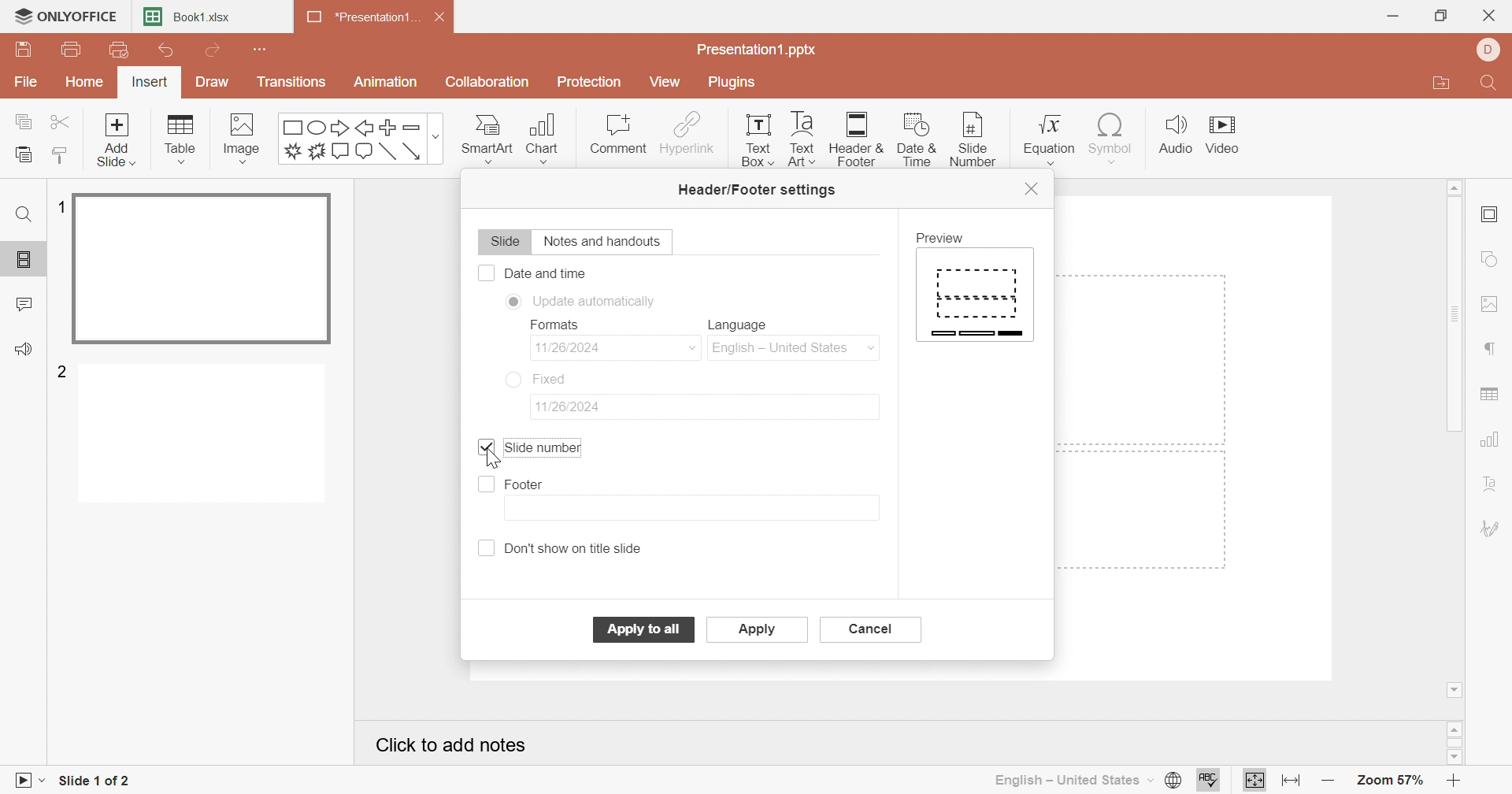  I want to click on Smart, so click(486, 135).